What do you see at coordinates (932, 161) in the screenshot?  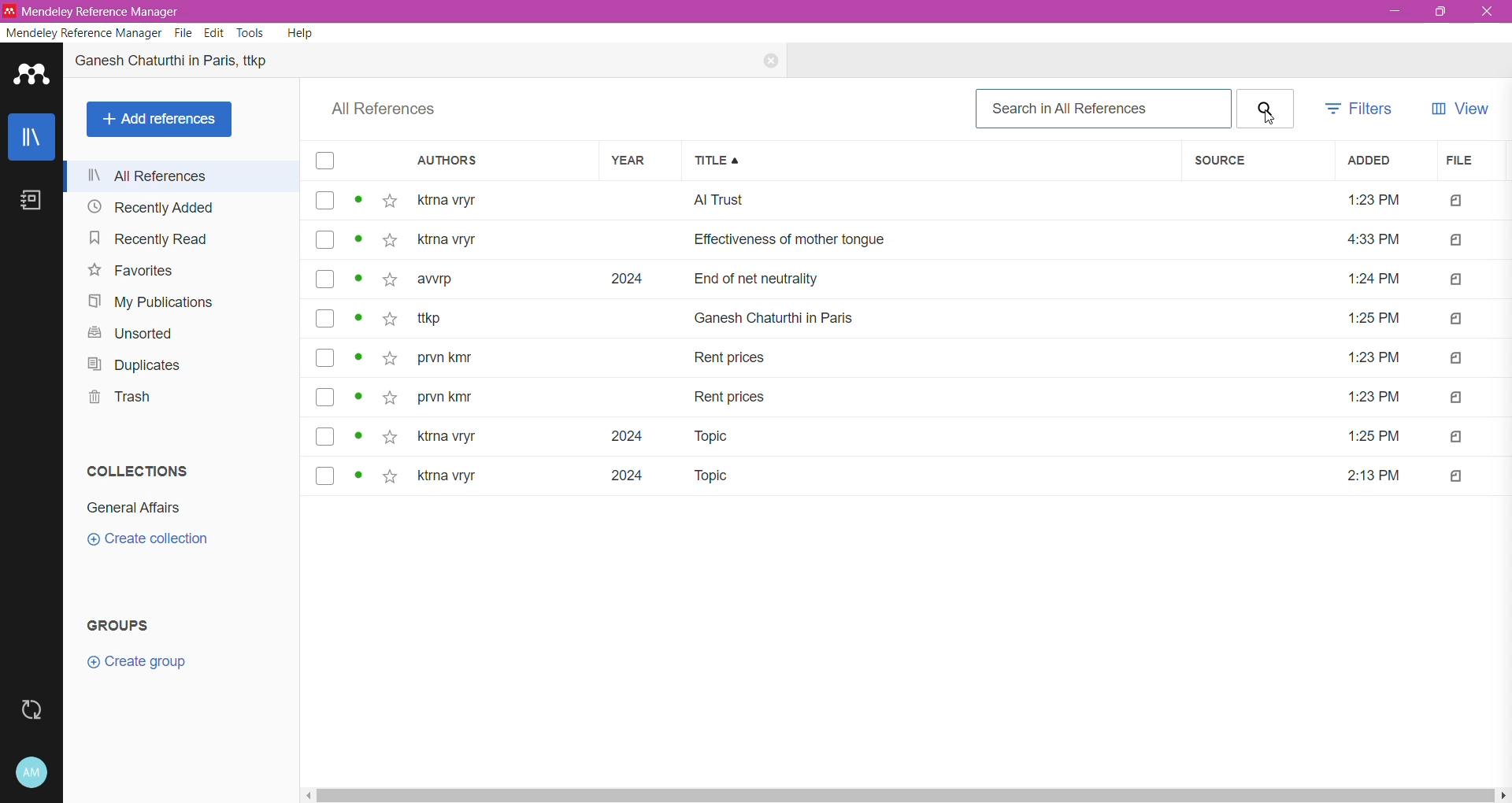 I see `Title` at bounding box center [932, 161].